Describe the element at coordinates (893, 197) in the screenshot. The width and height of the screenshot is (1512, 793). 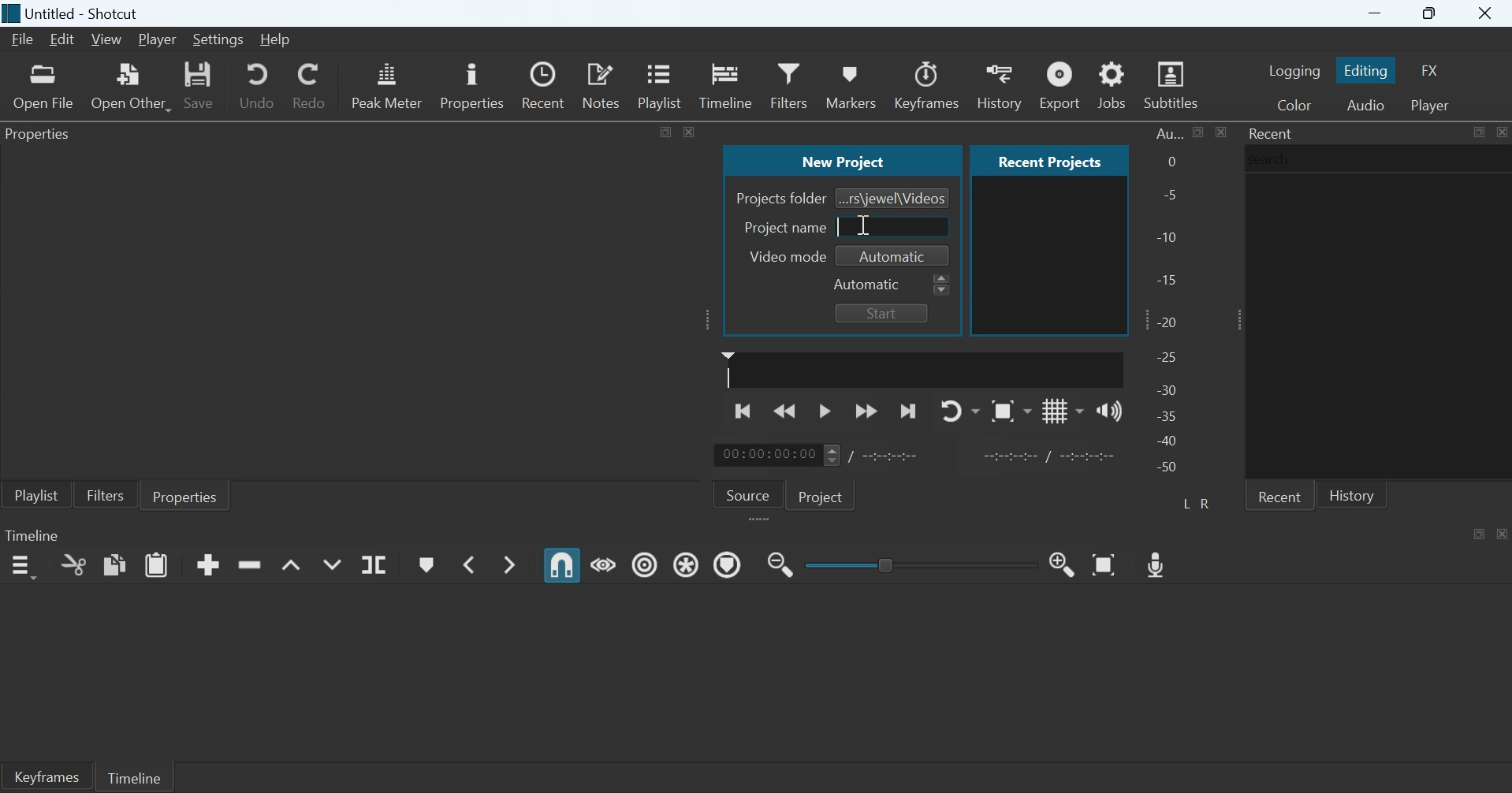
I see `C:\Users\jewel\Videos` at that location.